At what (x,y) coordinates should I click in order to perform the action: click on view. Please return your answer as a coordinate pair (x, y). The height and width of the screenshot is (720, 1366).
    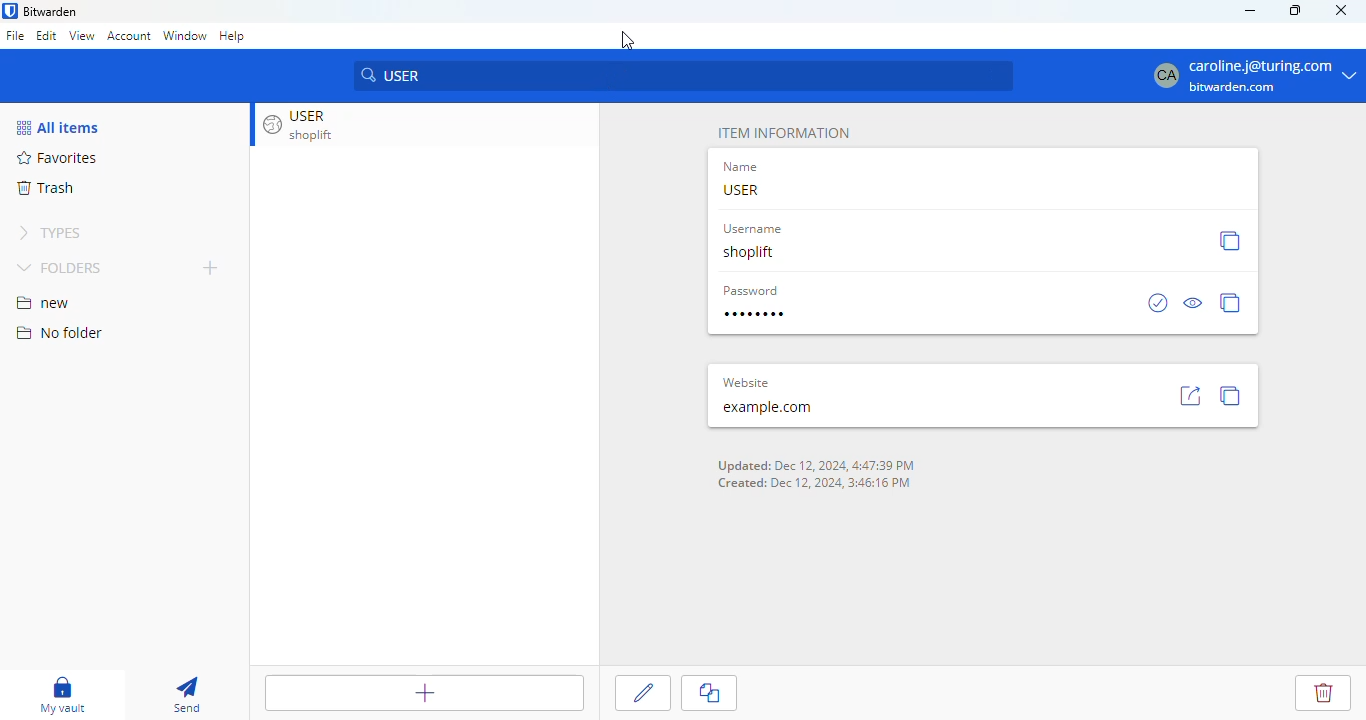
    Looking at the image, I should click on (1191, 303).